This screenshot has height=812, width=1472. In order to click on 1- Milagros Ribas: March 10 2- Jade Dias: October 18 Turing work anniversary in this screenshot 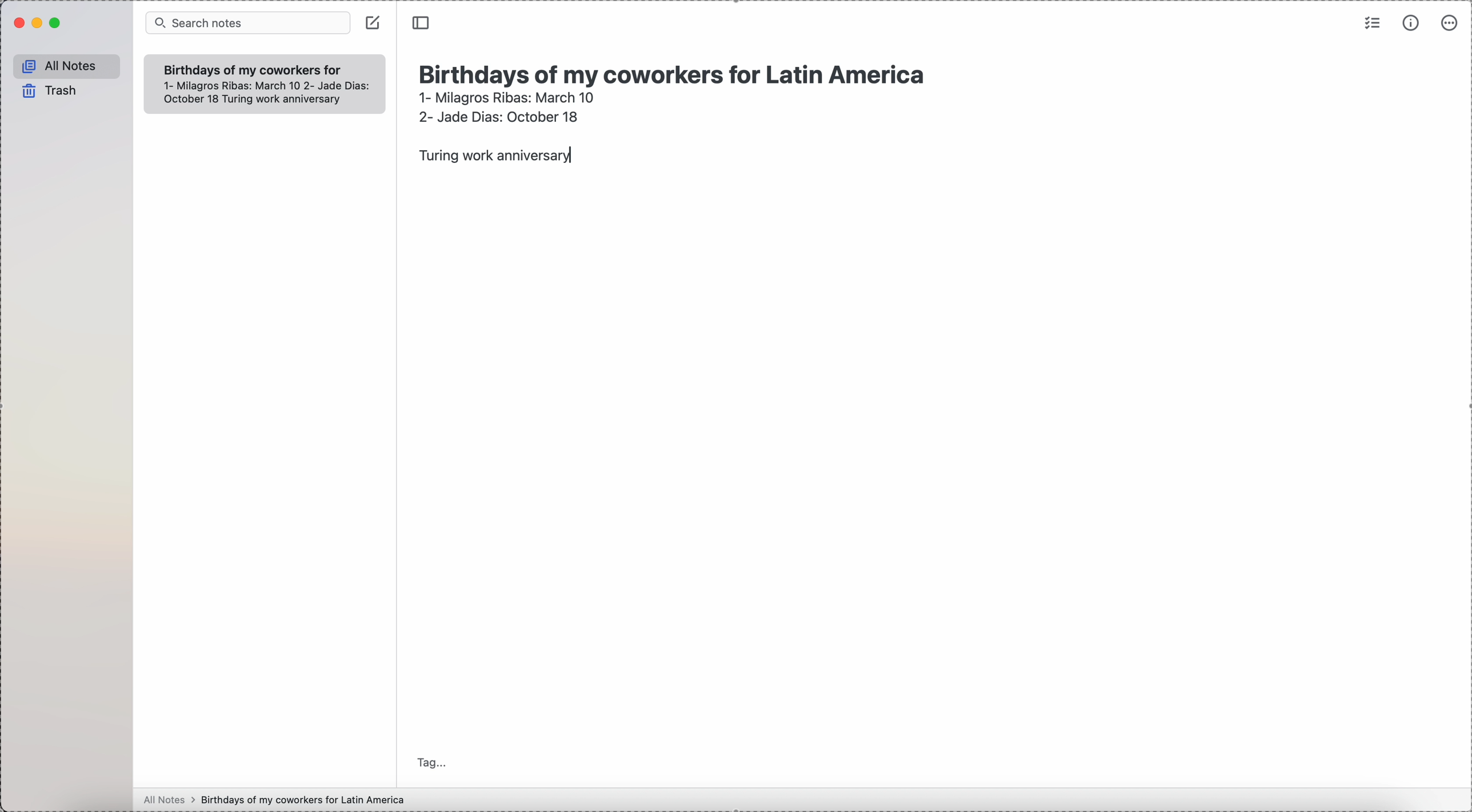, I will do `click(259, 93)`.